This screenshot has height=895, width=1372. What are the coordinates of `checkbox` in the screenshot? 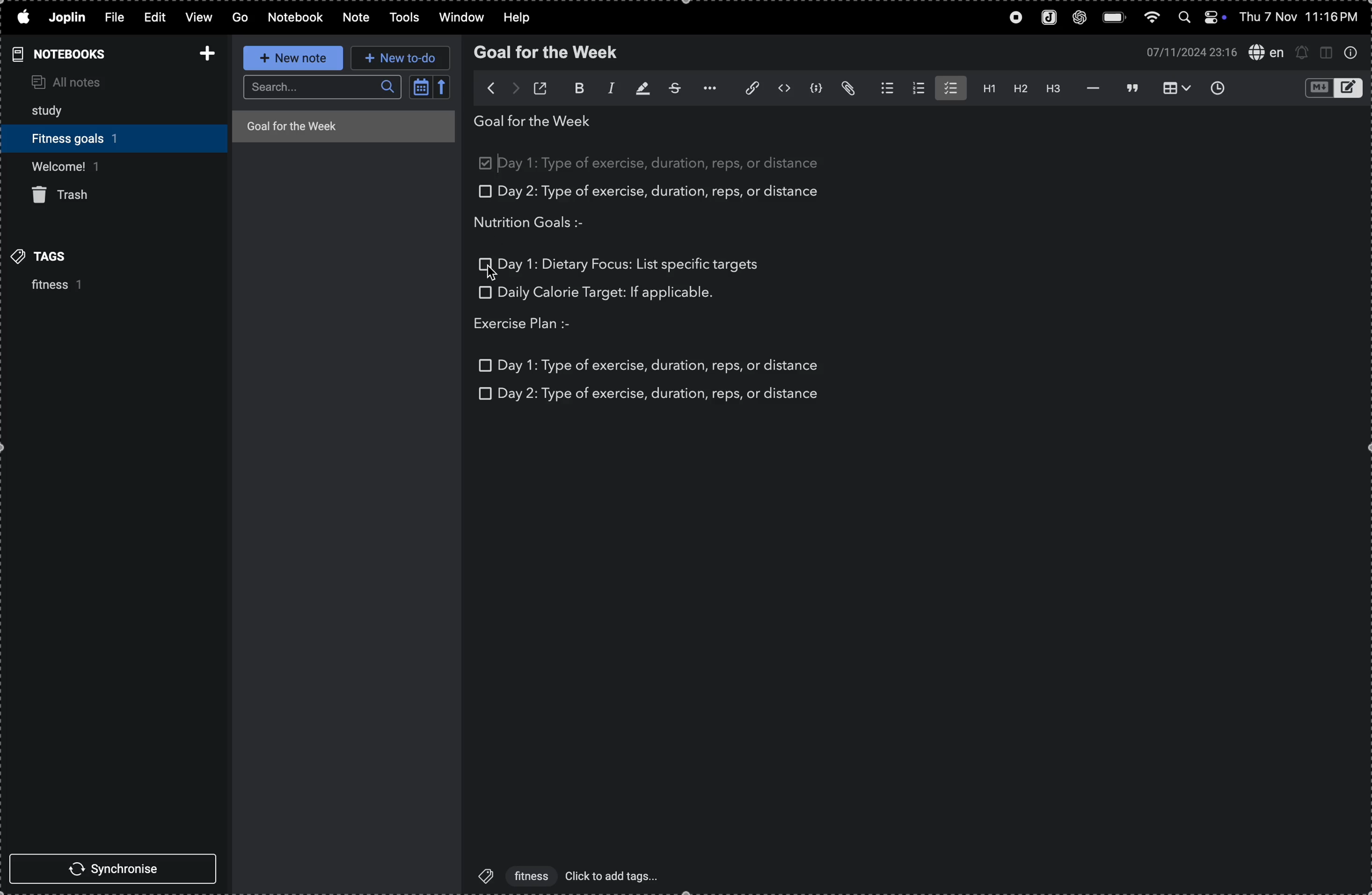 It's located at (485, 265).